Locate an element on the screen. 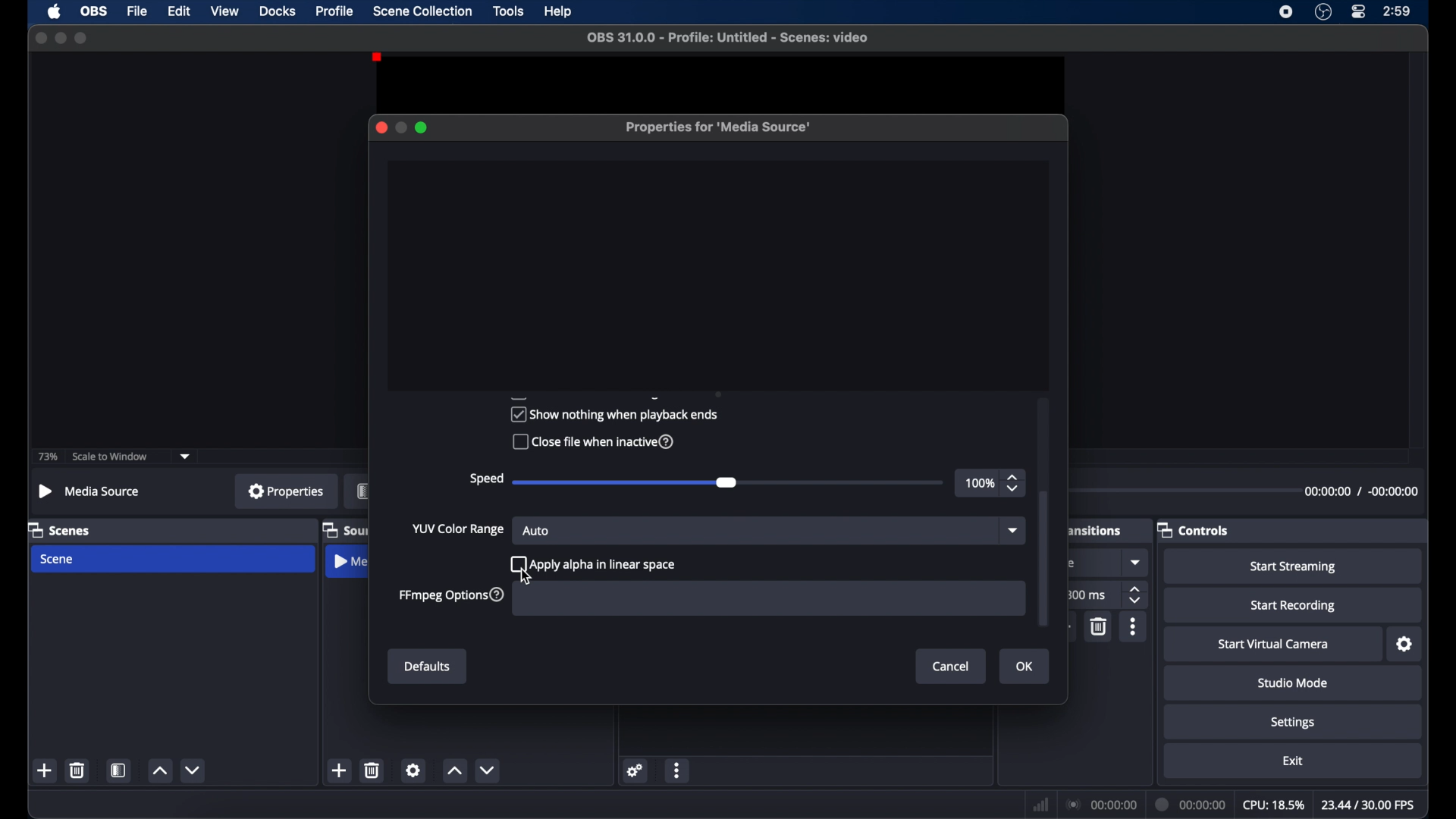 The height and width of the screenshot is (819, 1456). increment is located at coordinates (454, 771).